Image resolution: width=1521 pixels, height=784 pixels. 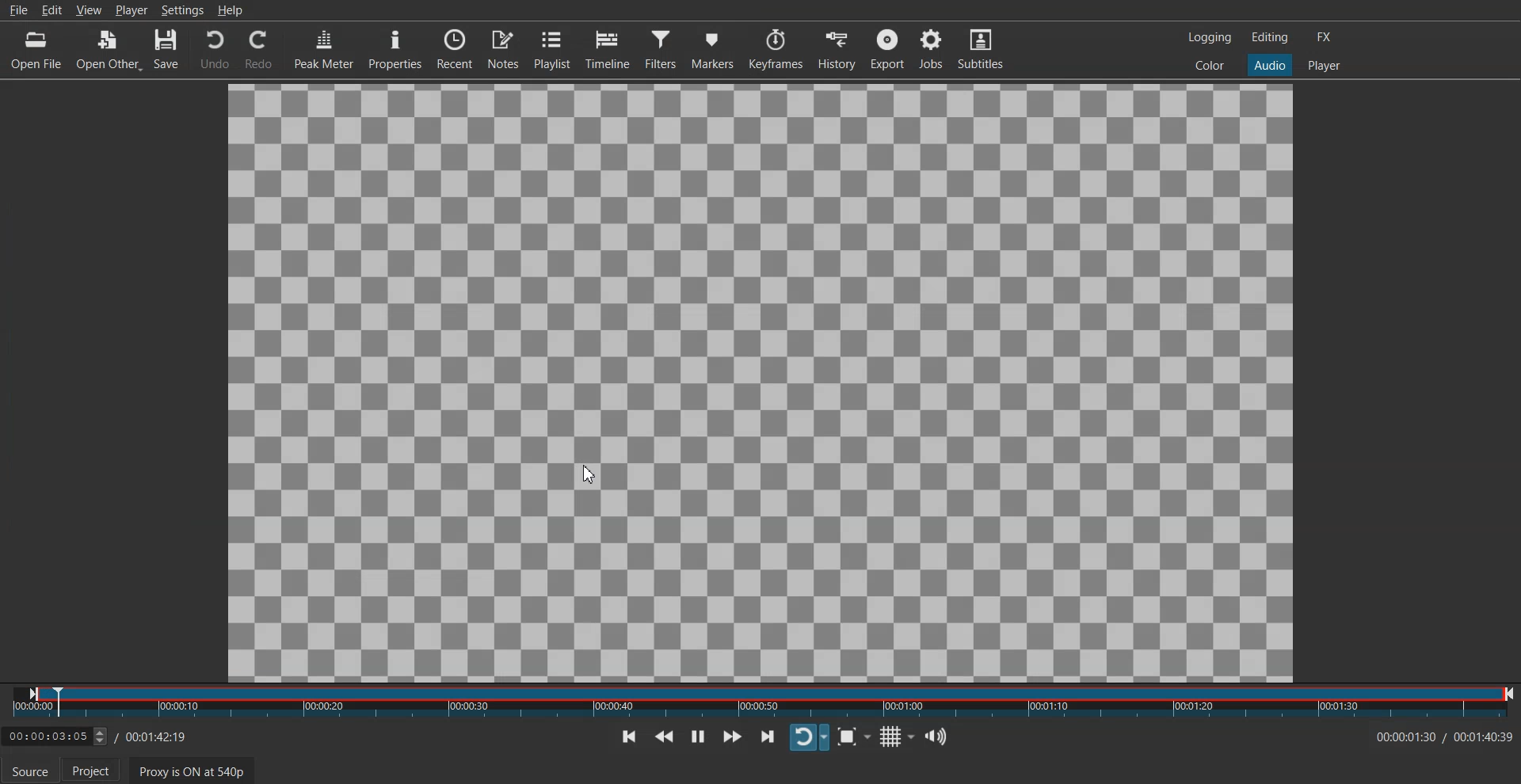 I want to click on Toggle Zoom, so click(x=853, y=737).